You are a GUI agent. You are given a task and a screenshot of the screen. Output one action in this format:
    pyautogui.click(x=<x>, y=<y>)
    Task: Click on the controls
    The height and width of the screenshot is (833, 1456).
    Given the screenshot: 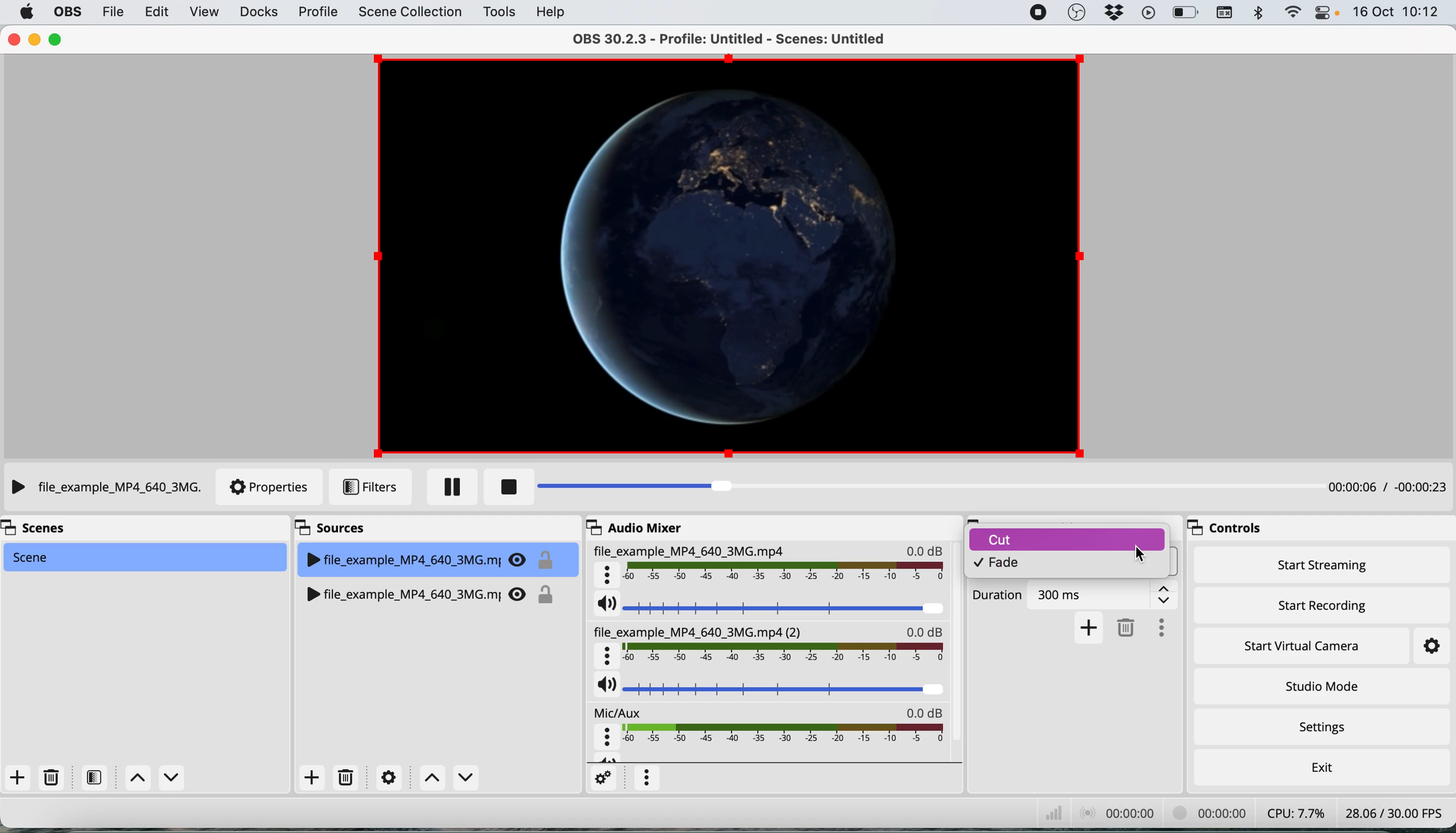 What is the action you would take?
    pyautogui.click(x=1227, y=527)
    